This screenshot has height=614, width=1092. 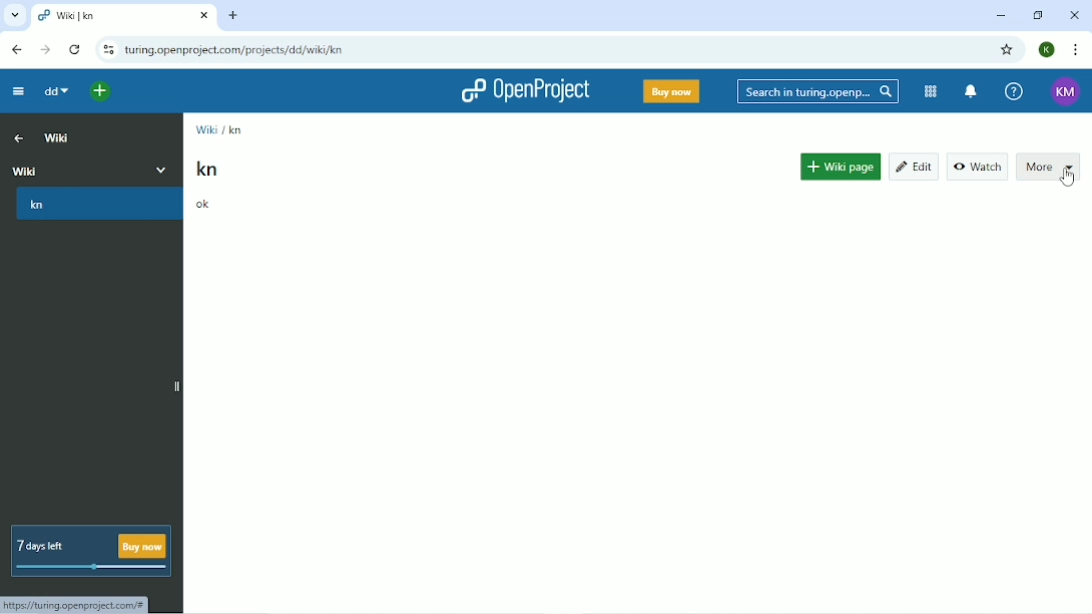 I want to click on Cursor, so click(x=1068, y=180).